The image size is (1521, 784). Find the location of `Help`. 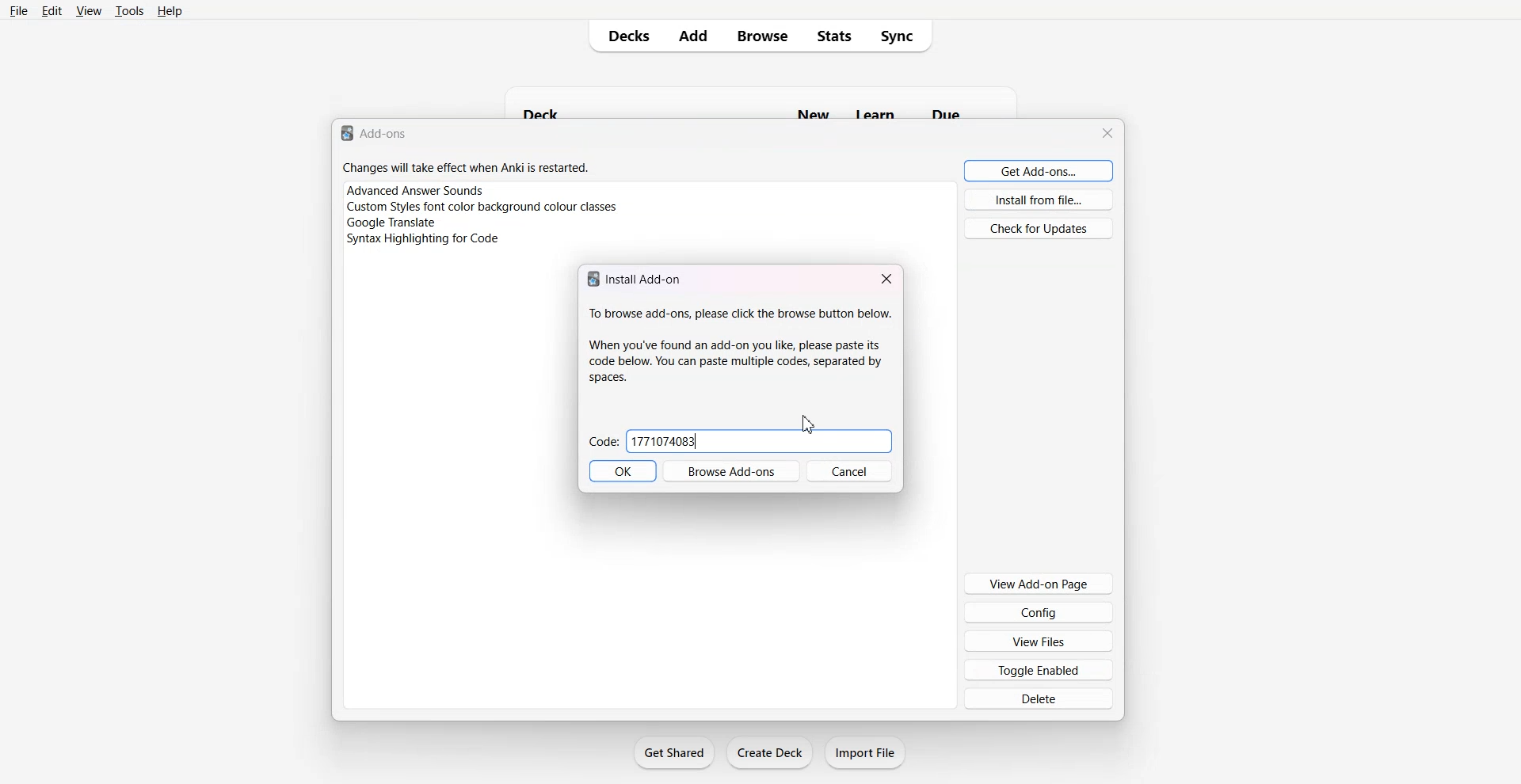

Help is located at coordinates (170, 11).